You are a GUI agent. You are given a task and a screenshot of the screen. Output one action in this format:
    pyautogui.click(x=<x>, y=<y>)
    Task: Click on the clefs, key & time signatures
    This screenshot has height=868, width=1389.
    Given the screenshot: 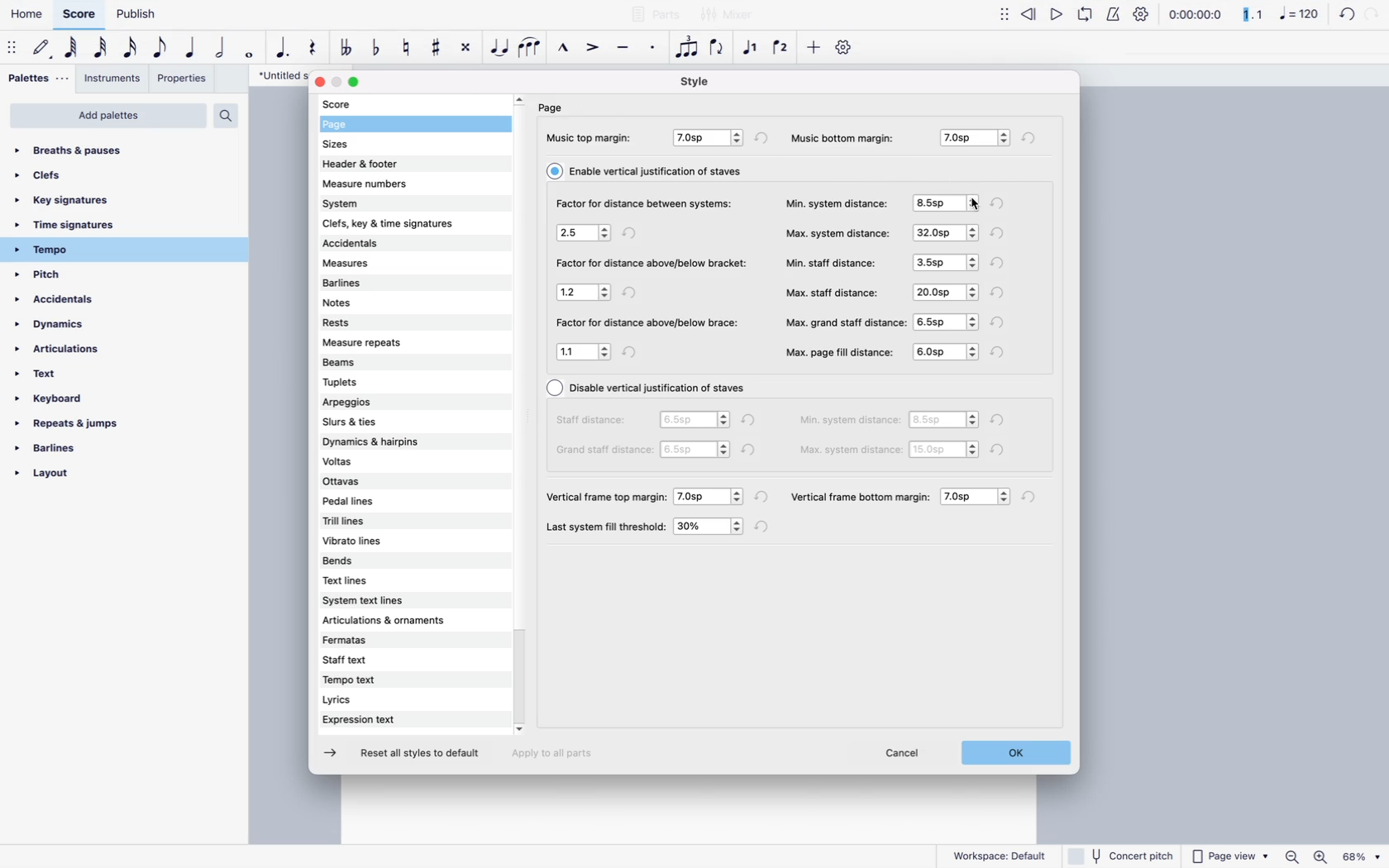 What is the action you would take?
    pyautogui.click(x=408, y=222)
    